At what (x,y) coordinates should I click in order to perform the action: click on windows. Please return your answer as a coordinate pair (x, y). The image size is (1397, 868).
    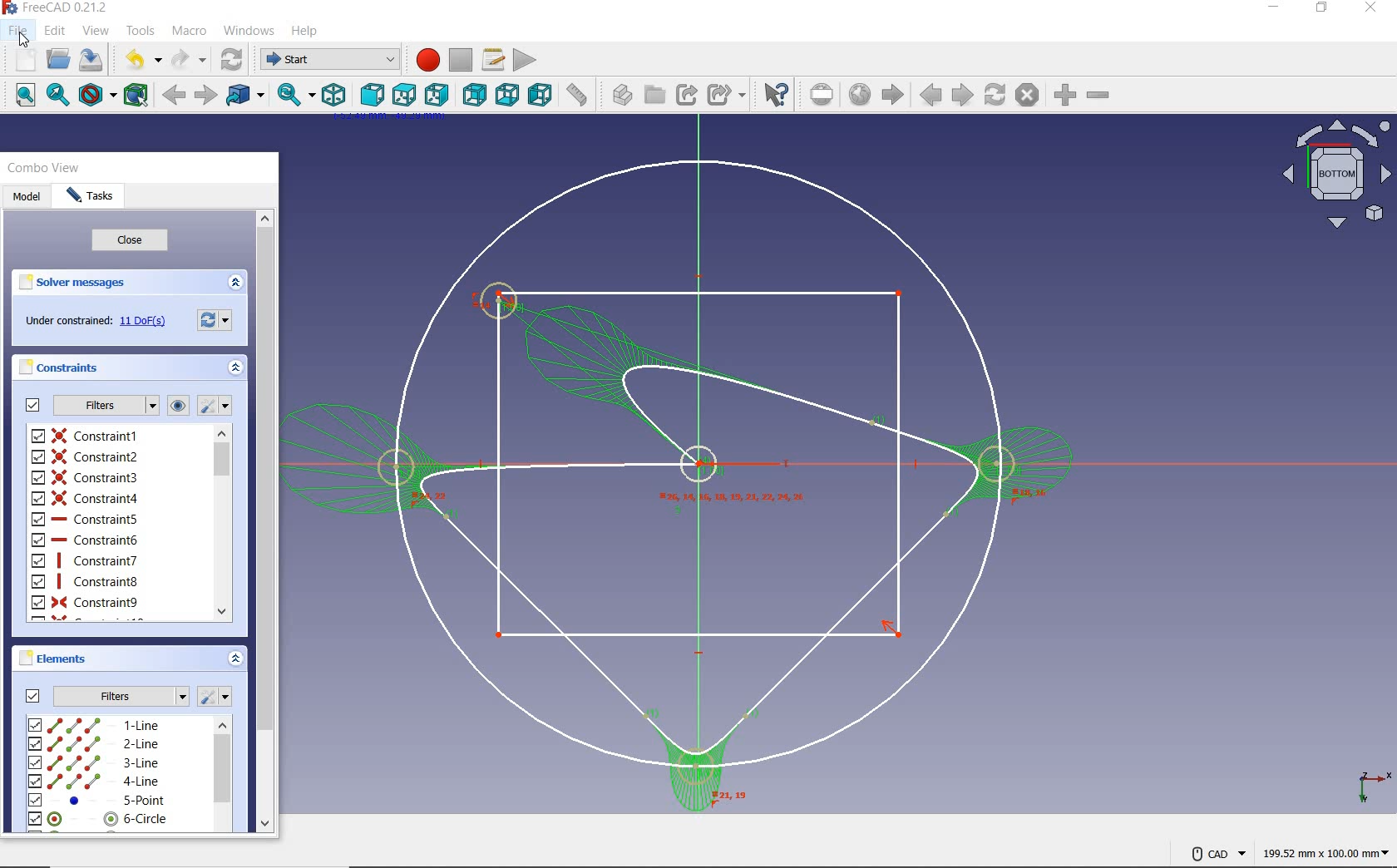
    Looking at the image, I should click on (250, 30).